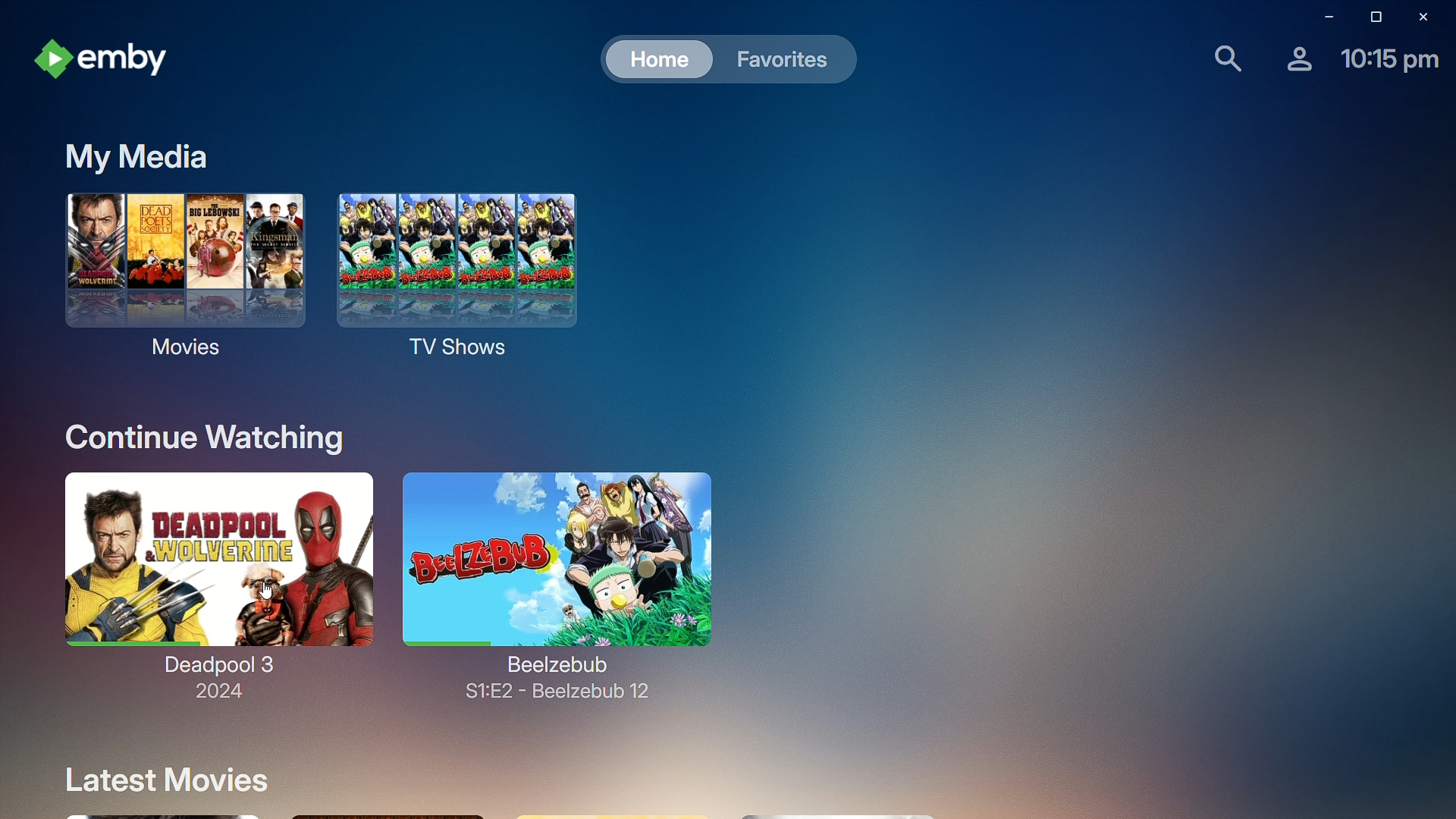 This screenshot has width=1456, height=819. What do you see at coordinates (563, 570) in the screenshot?
I see `Beelzebub` at bounding box center [563, 570].